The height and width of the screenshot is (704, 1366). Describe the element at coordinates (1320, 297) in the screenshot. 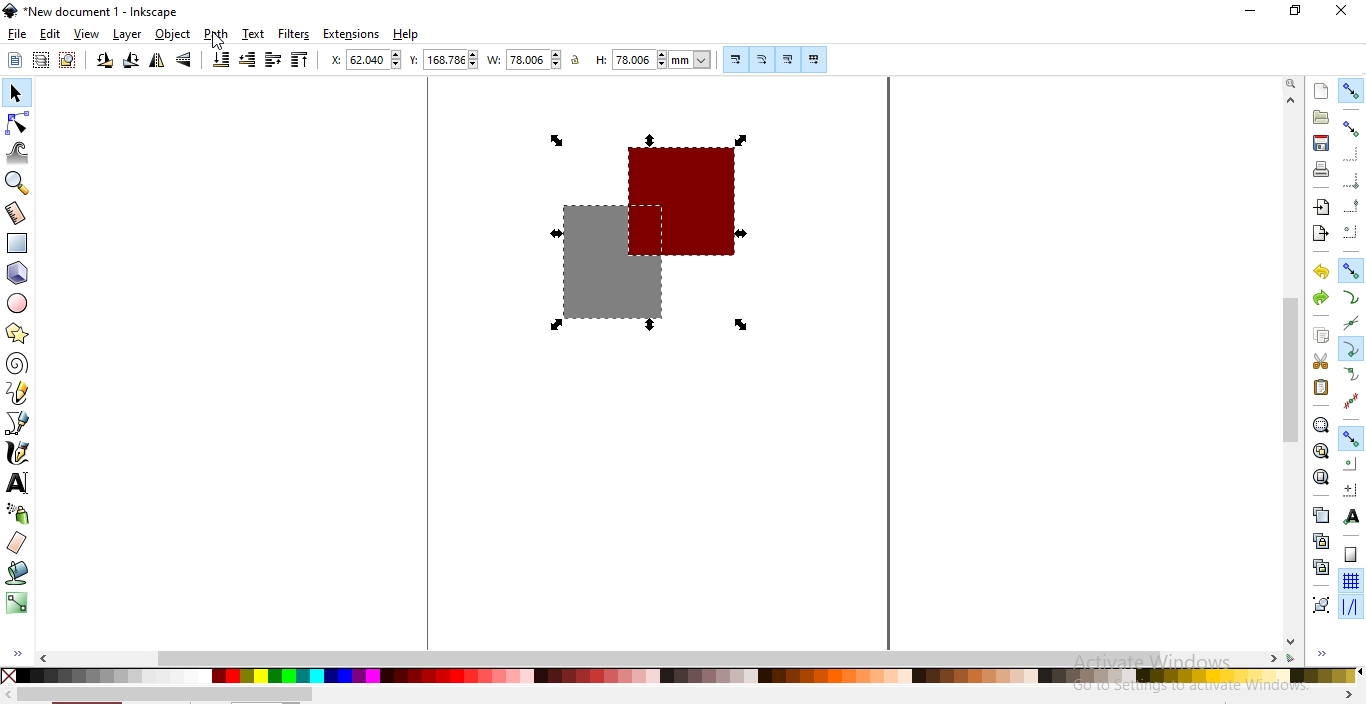

I see `redo` at that location.